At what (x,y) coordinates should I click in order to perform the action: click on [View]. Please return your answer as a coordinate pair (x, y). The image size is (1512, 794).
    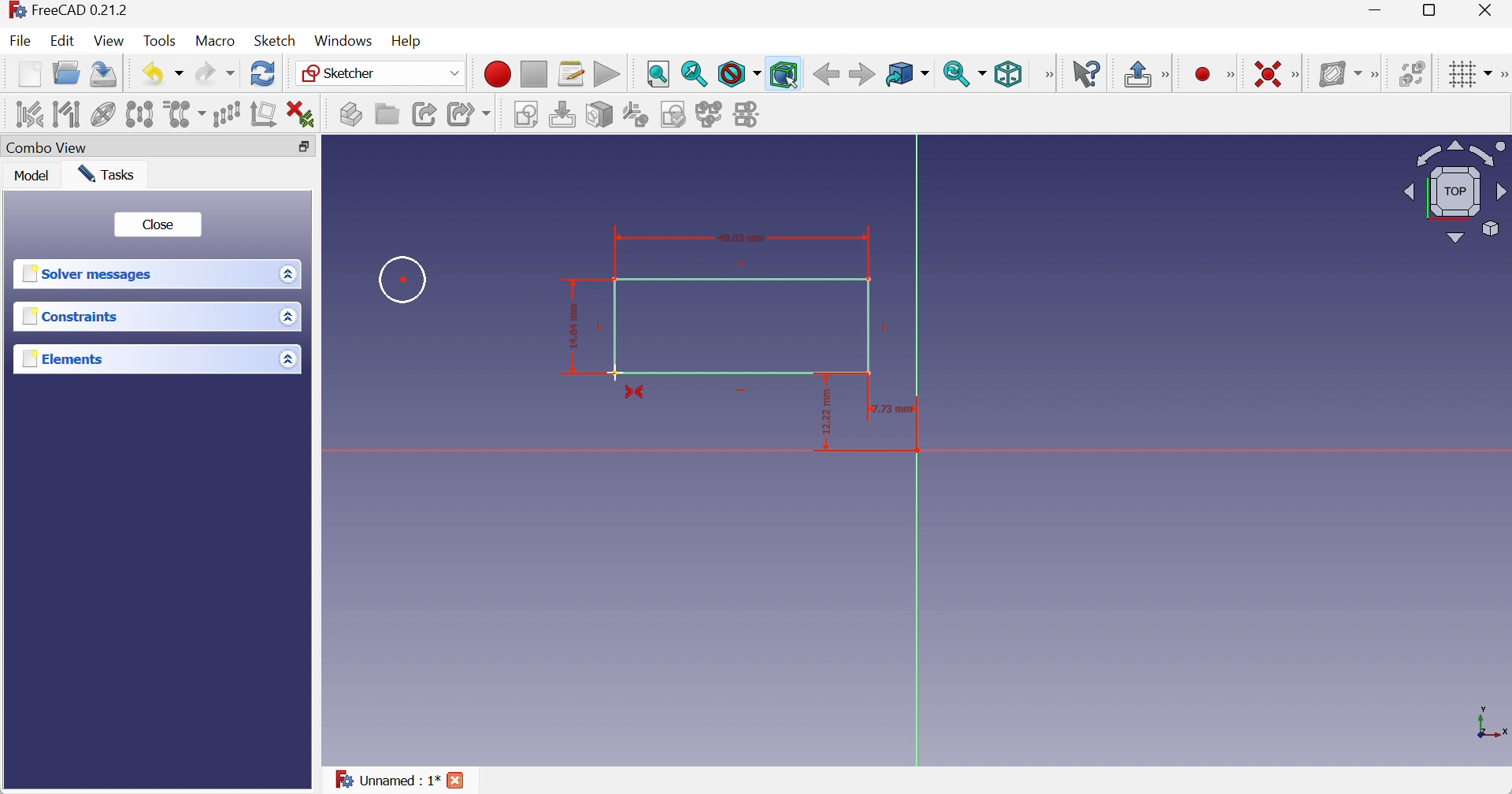
    Looking at the image, I should click on (1046, 75).